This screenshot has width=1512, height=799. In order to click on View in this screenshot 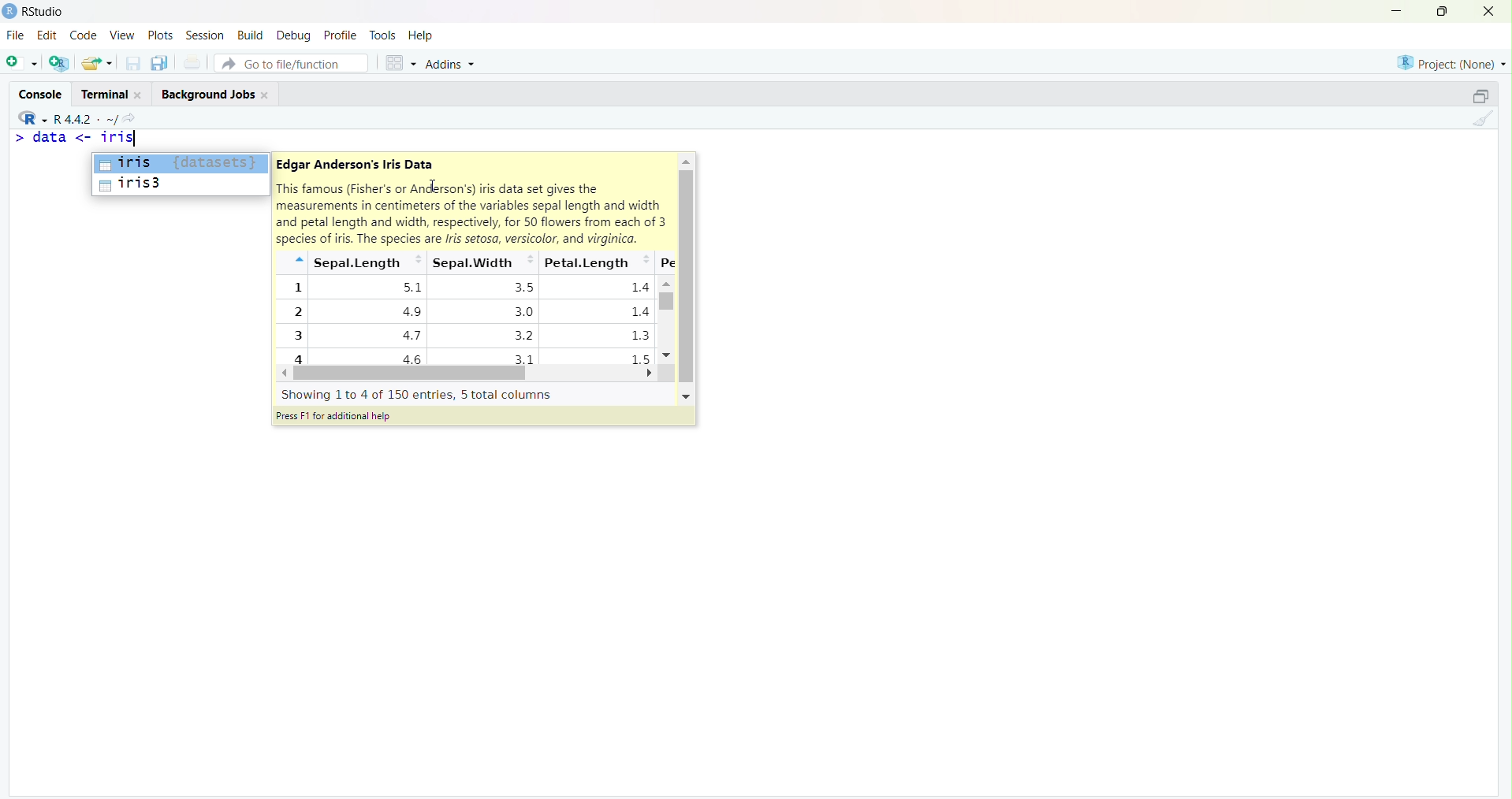, I will do `click(121, 35)`.